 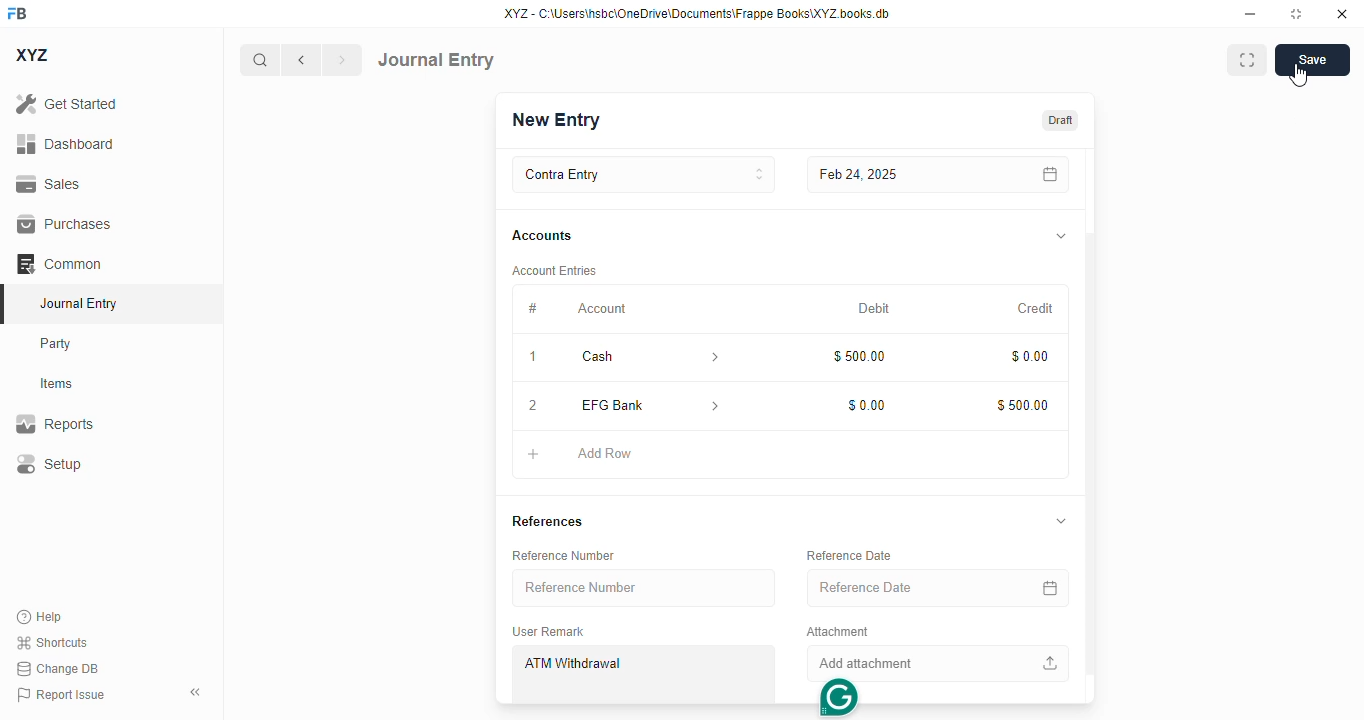 I want to click on account information, so click(x=709, y=357).